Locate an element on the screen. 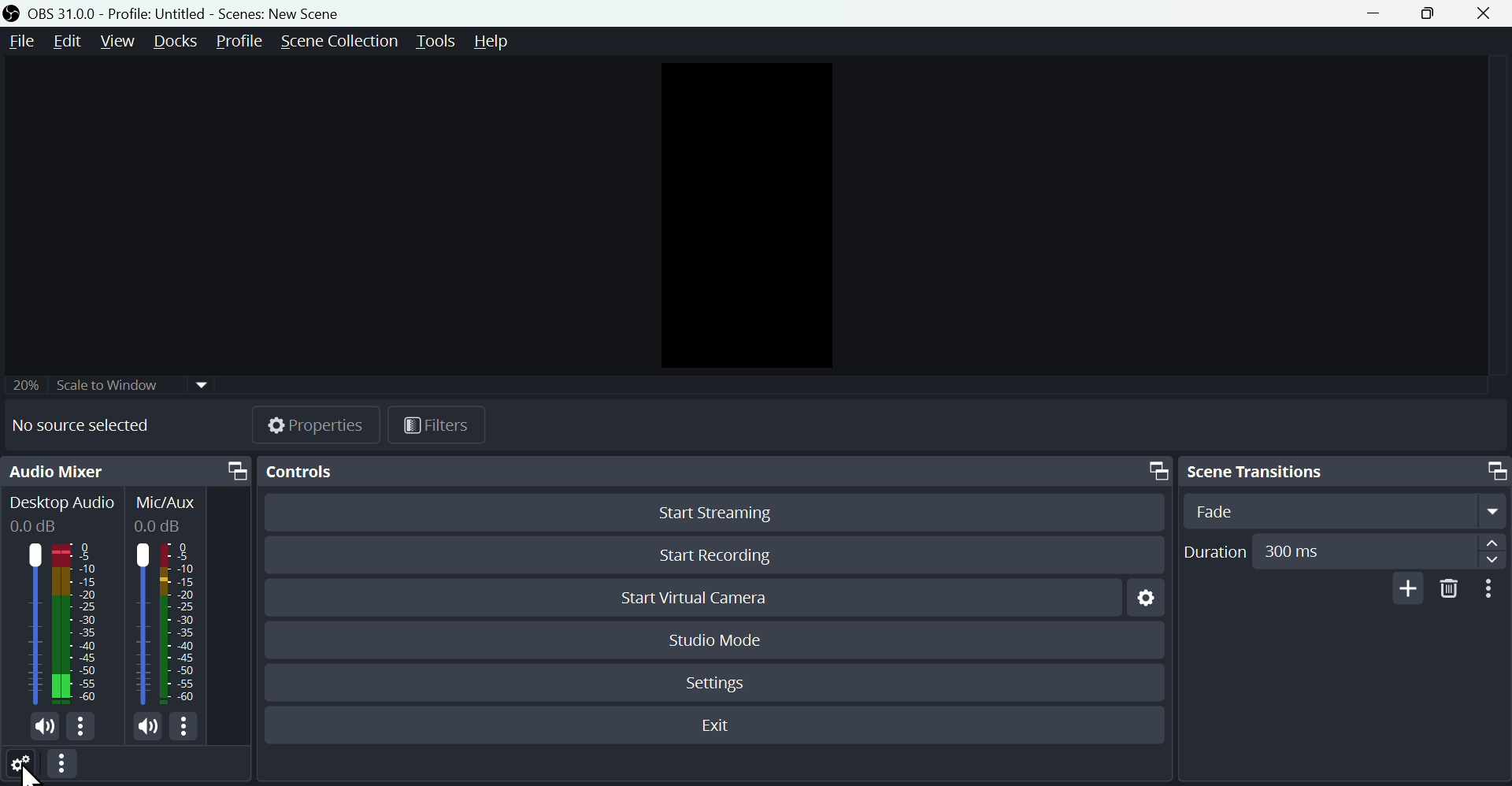 This screenshot has height=786, width=1512. More options is located at coordinates (65, 769).